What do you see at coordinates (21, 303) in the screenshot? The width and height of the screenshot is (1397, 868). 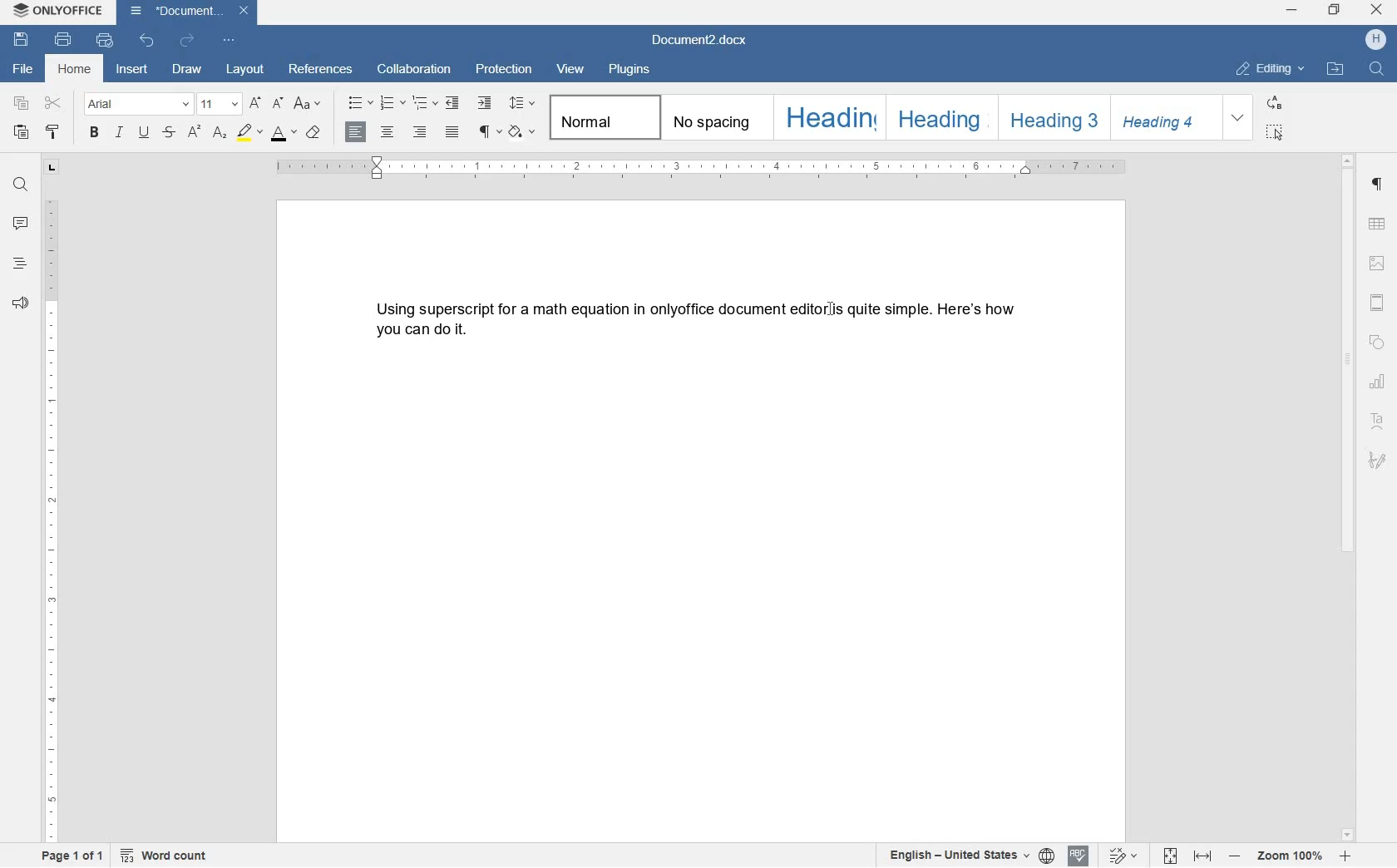 I see `feedback & support` at bounding box center [21, 303].